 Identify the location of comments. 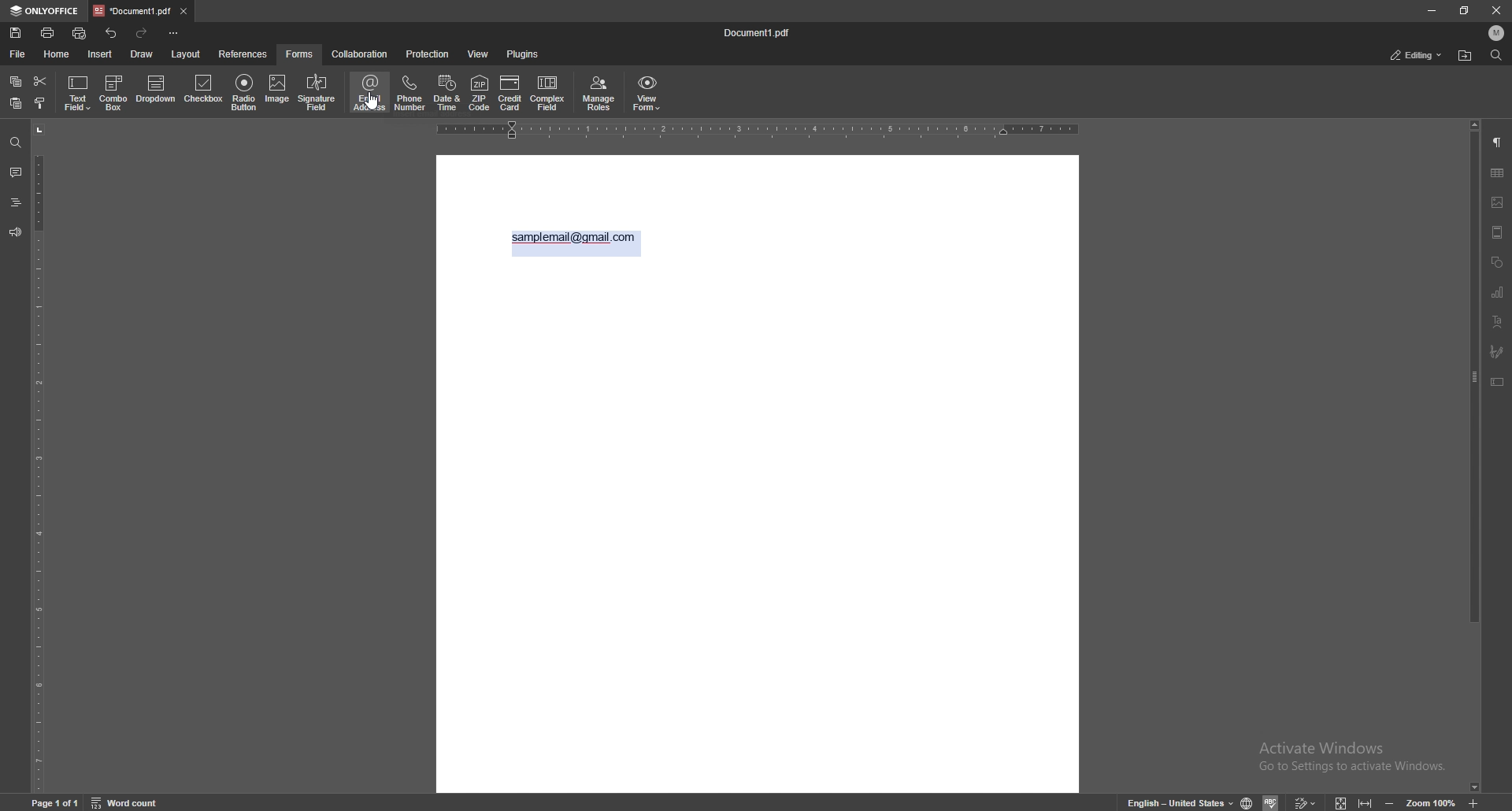
(15, 172).